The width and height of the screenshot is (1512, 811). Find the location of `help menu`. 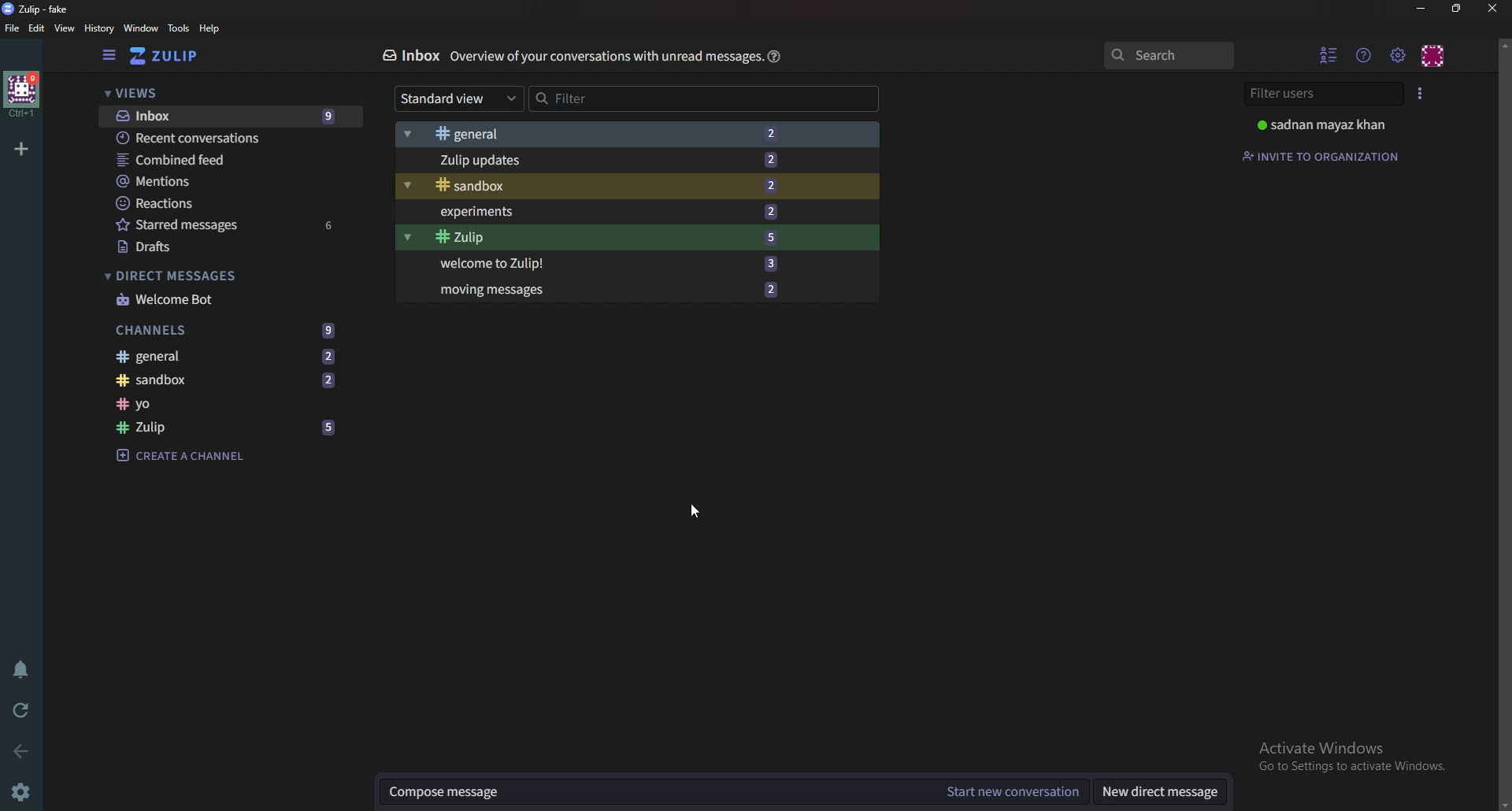

help menu is located at coordinates (1363, 54).